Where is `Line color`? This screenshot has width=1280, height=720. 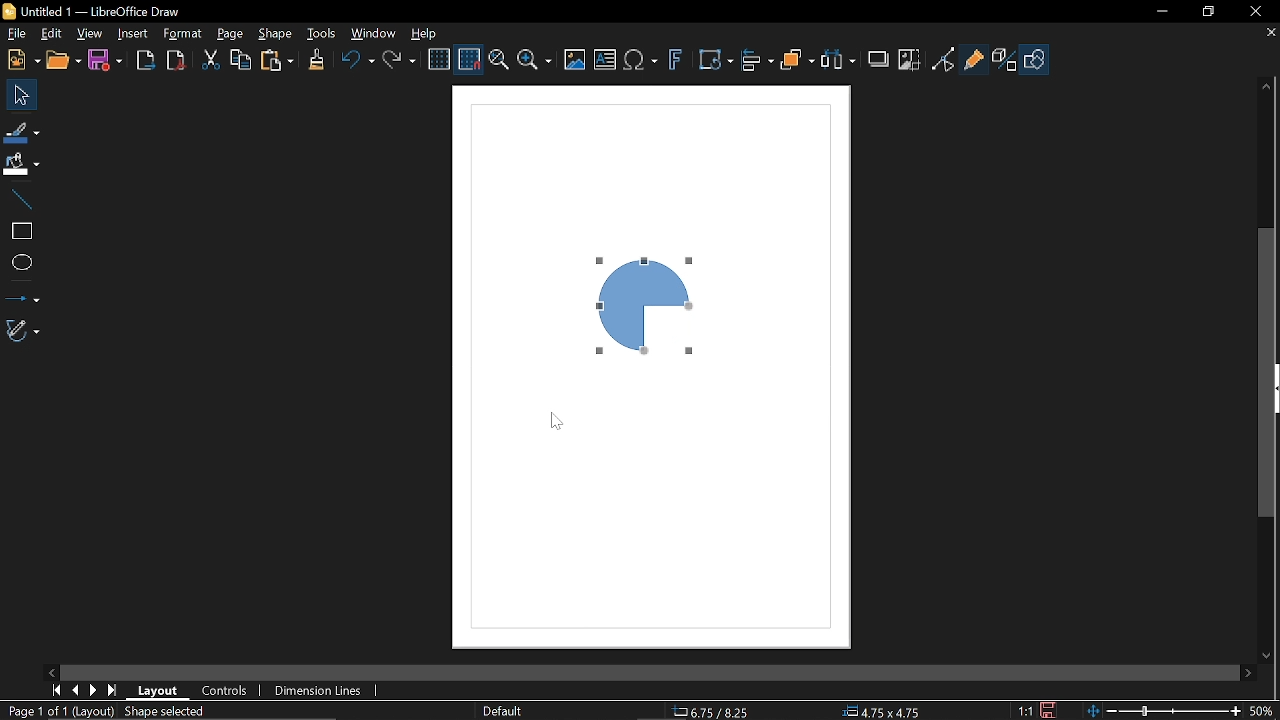
Line color is located at coordinates (22, 131).